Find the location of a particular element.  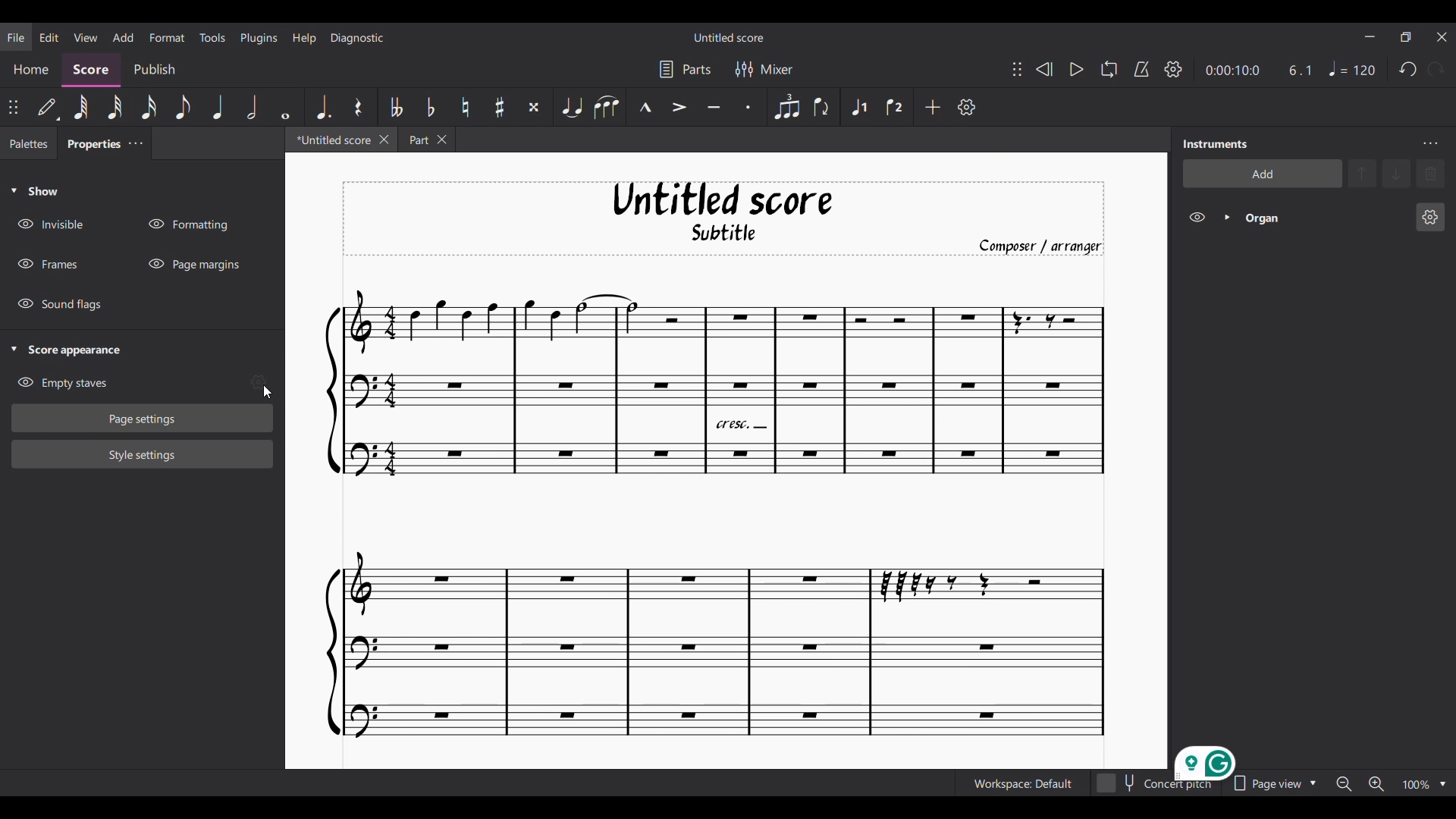

Looping playback  is located at coordinates (1109, 69).